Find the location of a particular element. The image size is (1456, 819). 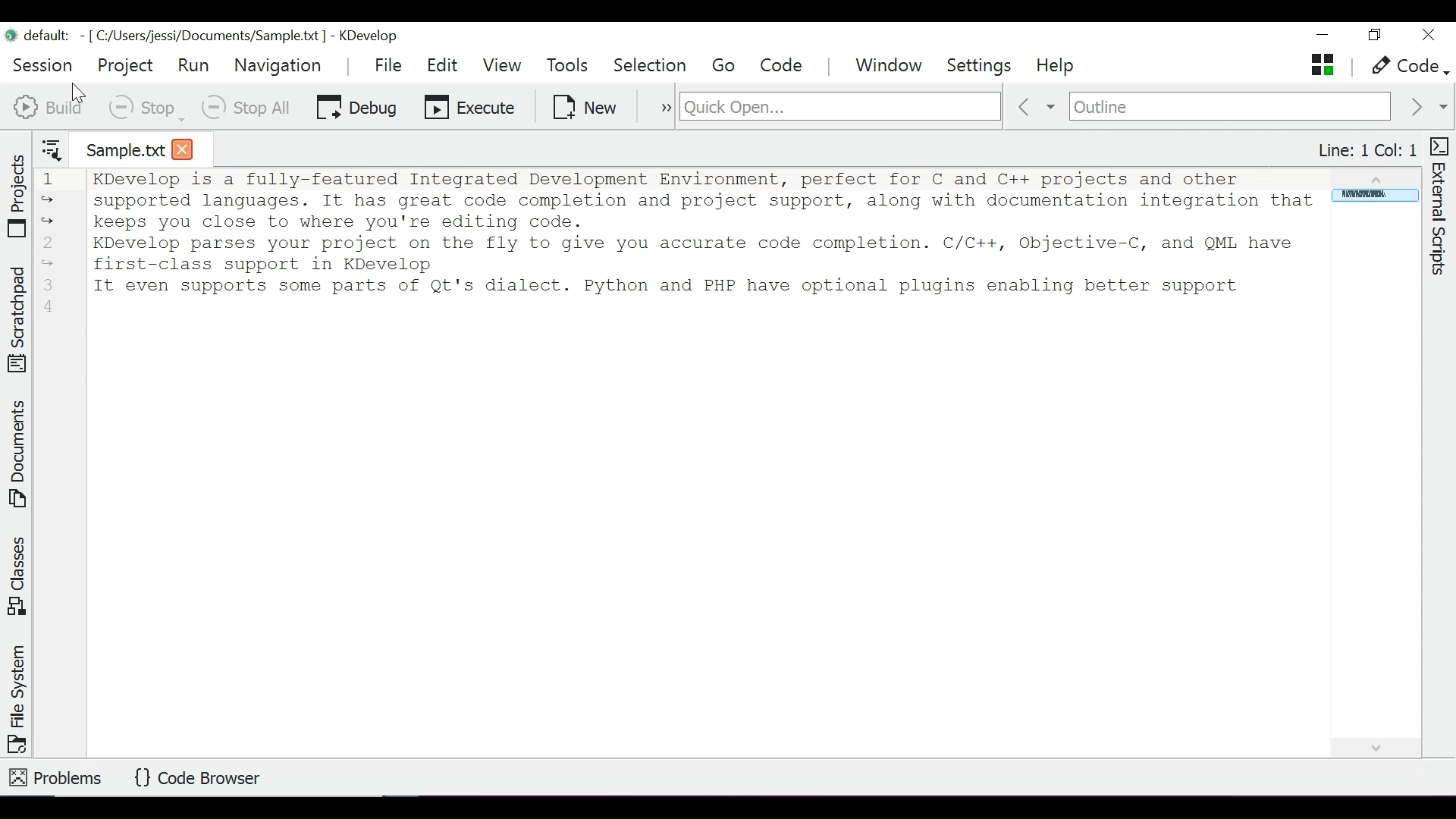

Problems is located at coordinates (56, 778).